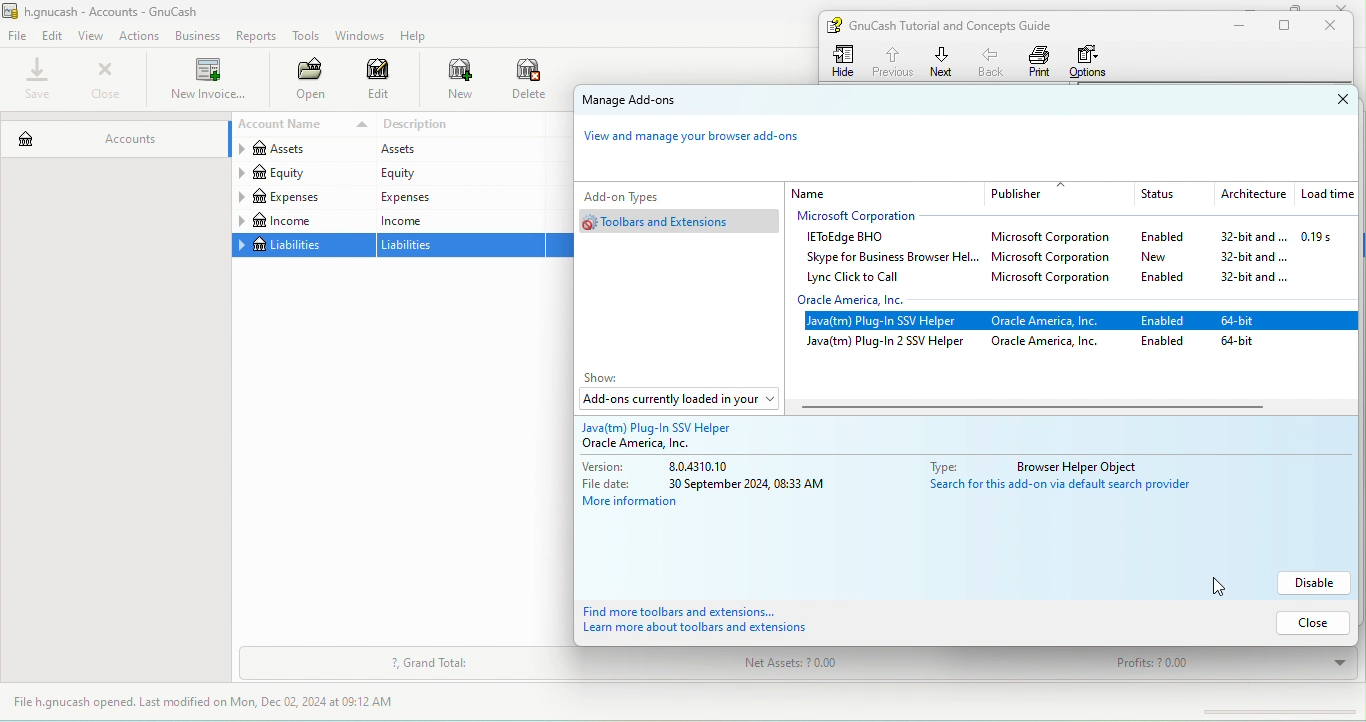 The height and width of the screenshot is (722, 1366). I want to click on grand total, so click(430, 664).